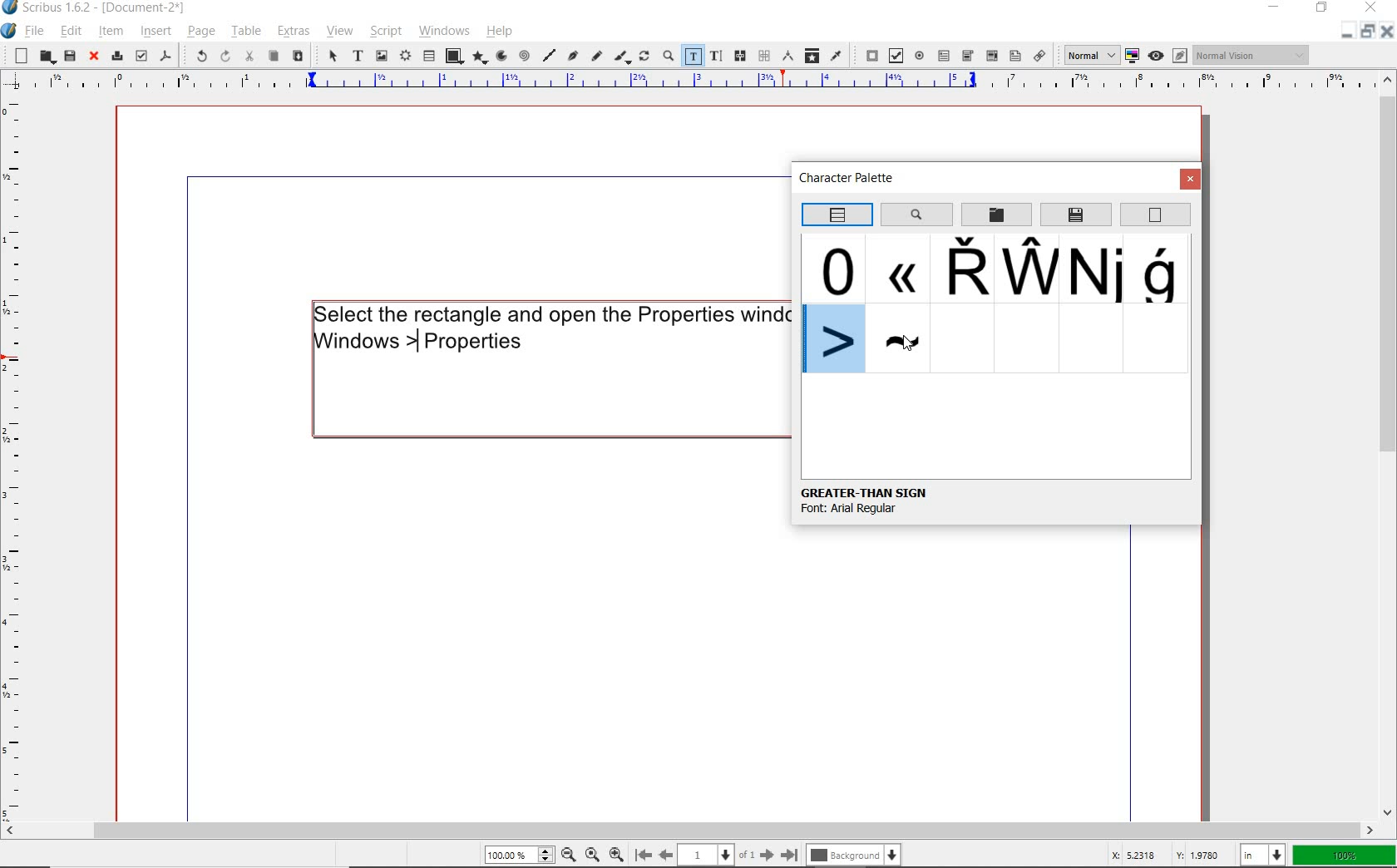 The image size is (1397, 868). What do you see at coordinates (165, 55) in the screenshot?
I see `save as pdf` at bounding box center [165, 55].